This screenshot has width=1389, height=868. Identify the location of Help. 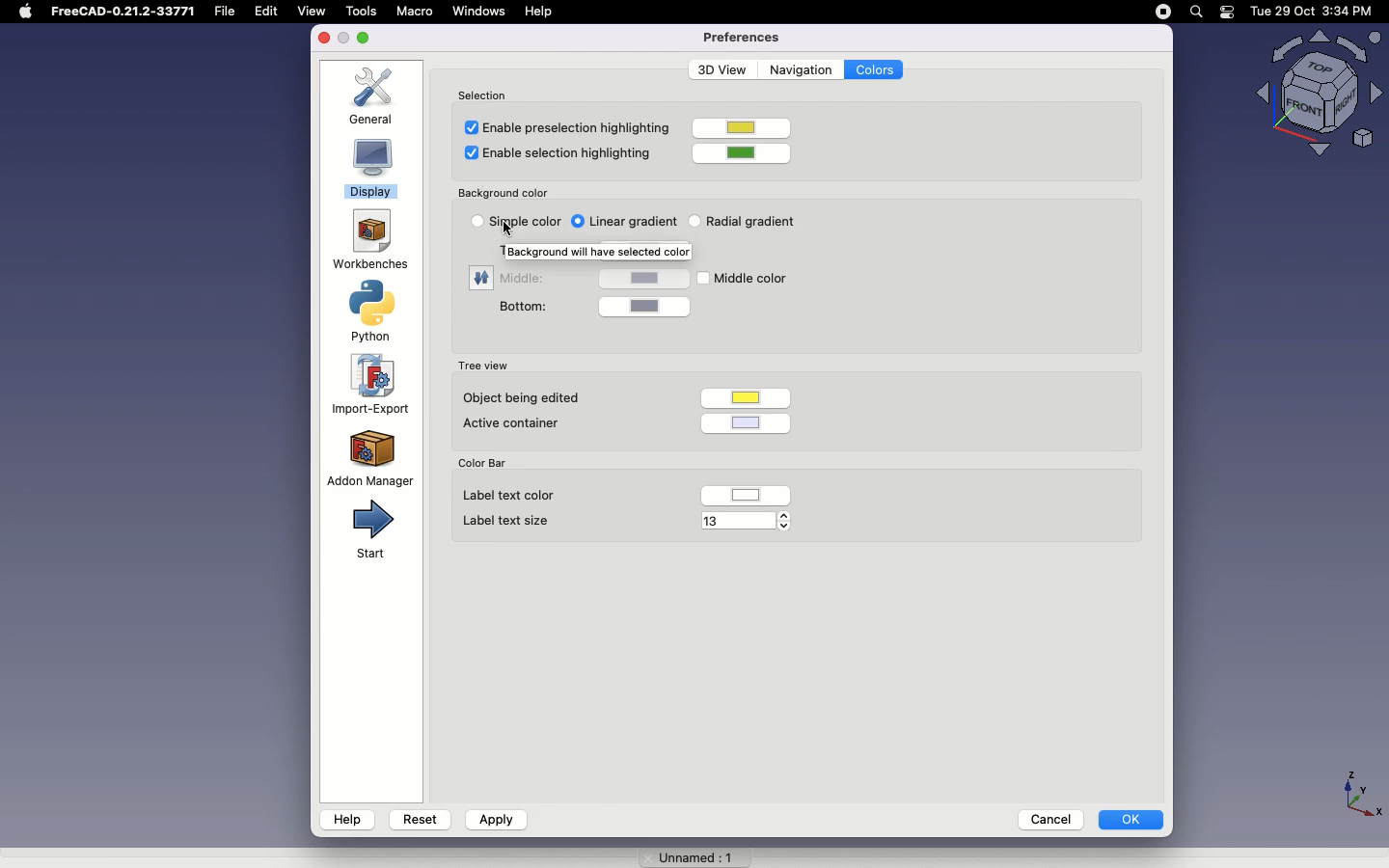
(542, 11).